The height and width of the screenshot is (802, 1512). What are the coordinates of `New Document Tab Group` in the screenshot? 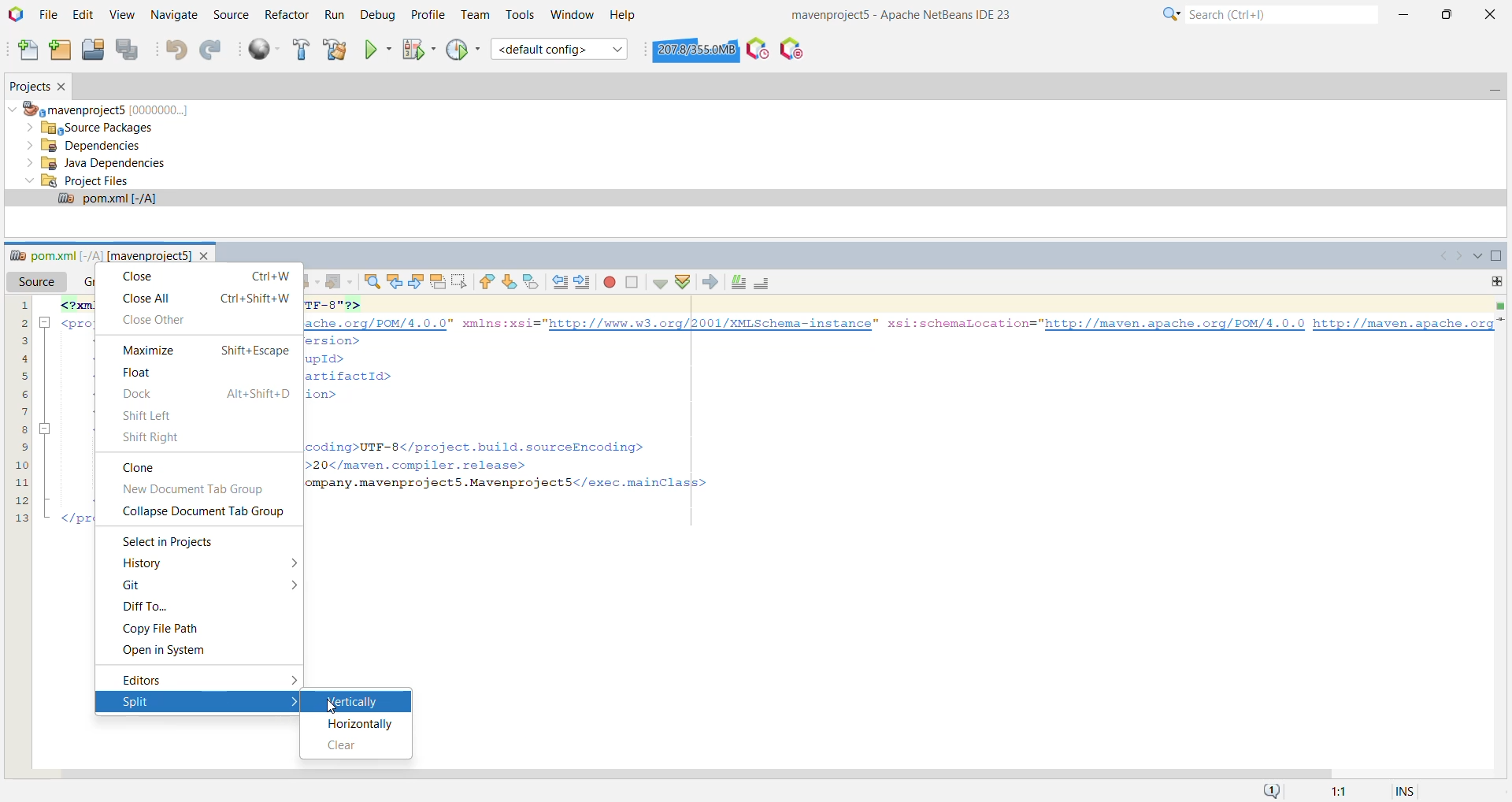 It's located at (200, 489).